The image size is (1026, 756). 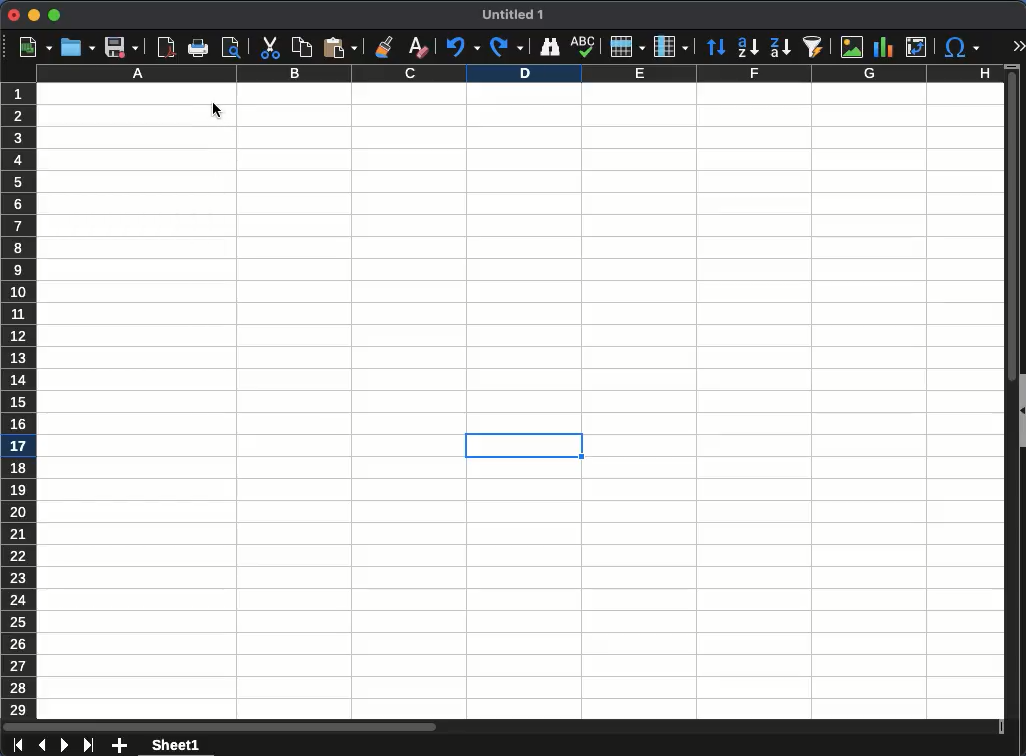 I want to click on first sheet, so click(x=17, y=746).